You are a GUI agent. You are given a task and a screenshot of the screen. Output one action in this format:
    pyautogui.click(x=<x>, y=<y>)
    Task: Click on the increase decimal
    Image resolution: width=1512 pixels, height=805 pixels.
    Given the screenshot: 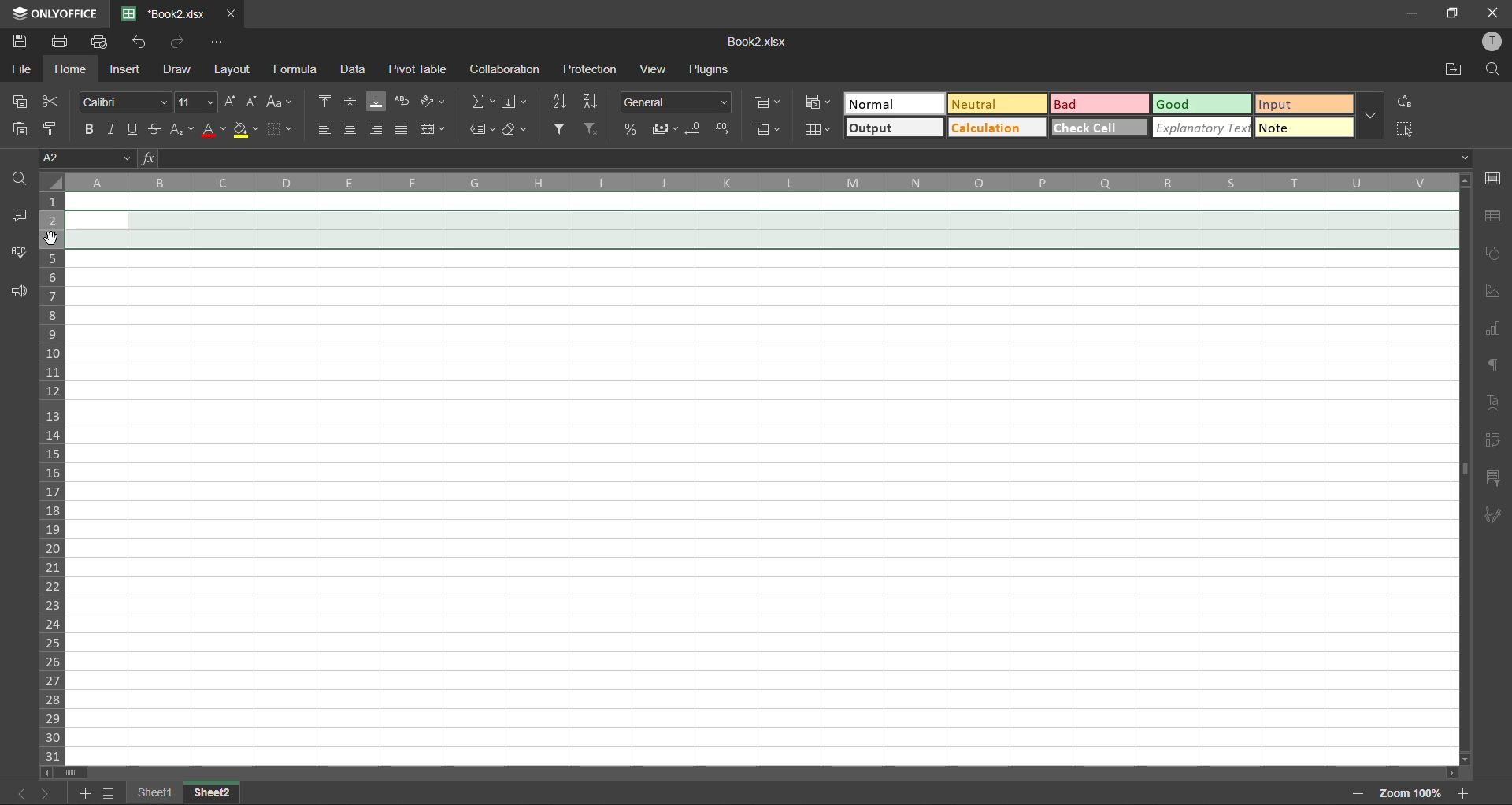 What is the action you would take?
    pyautogui.click(x=722, y=131)
    